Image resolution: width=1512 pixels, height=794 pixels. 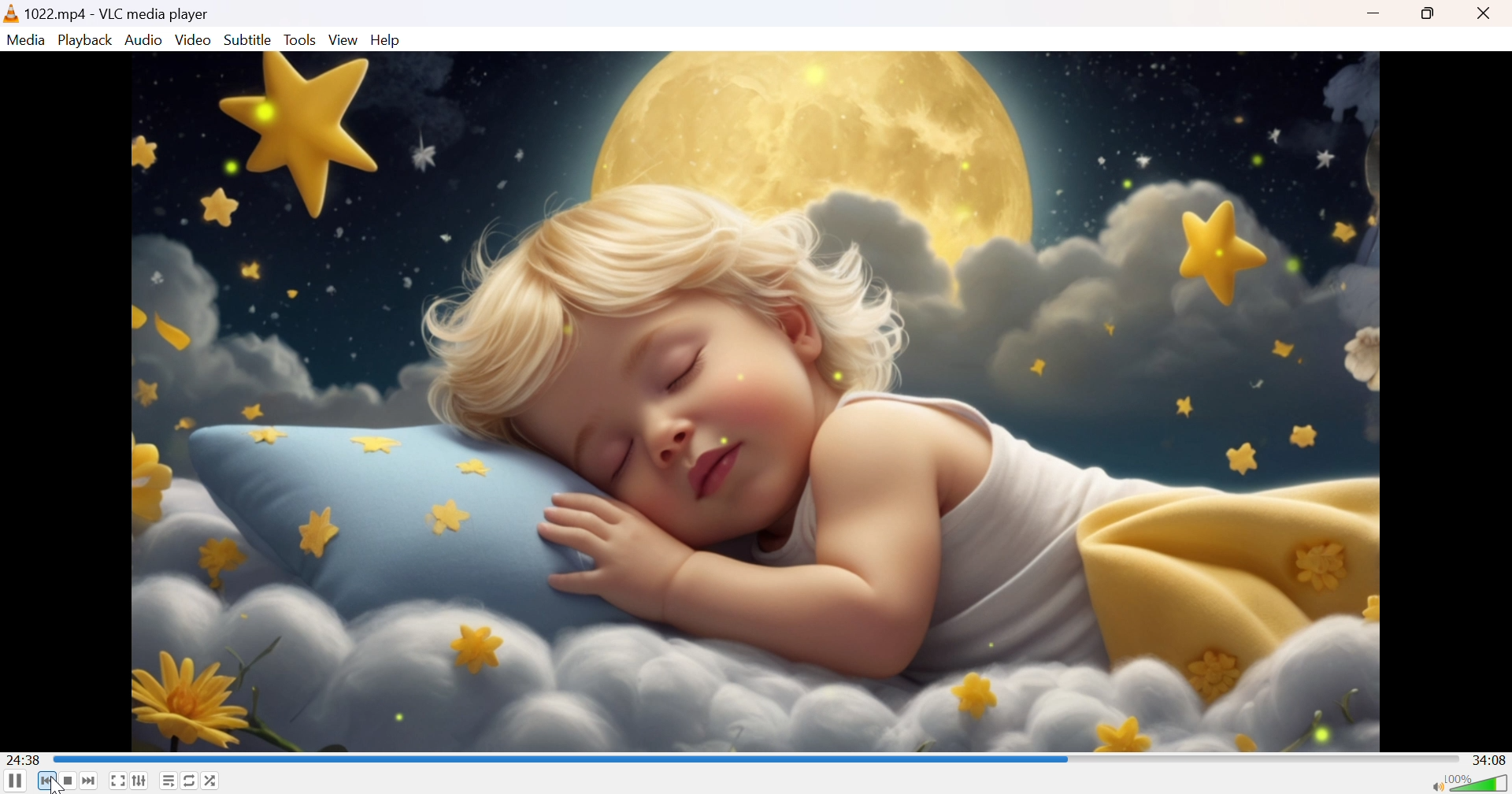 I want to click on Help, so click(x=387, y=41).